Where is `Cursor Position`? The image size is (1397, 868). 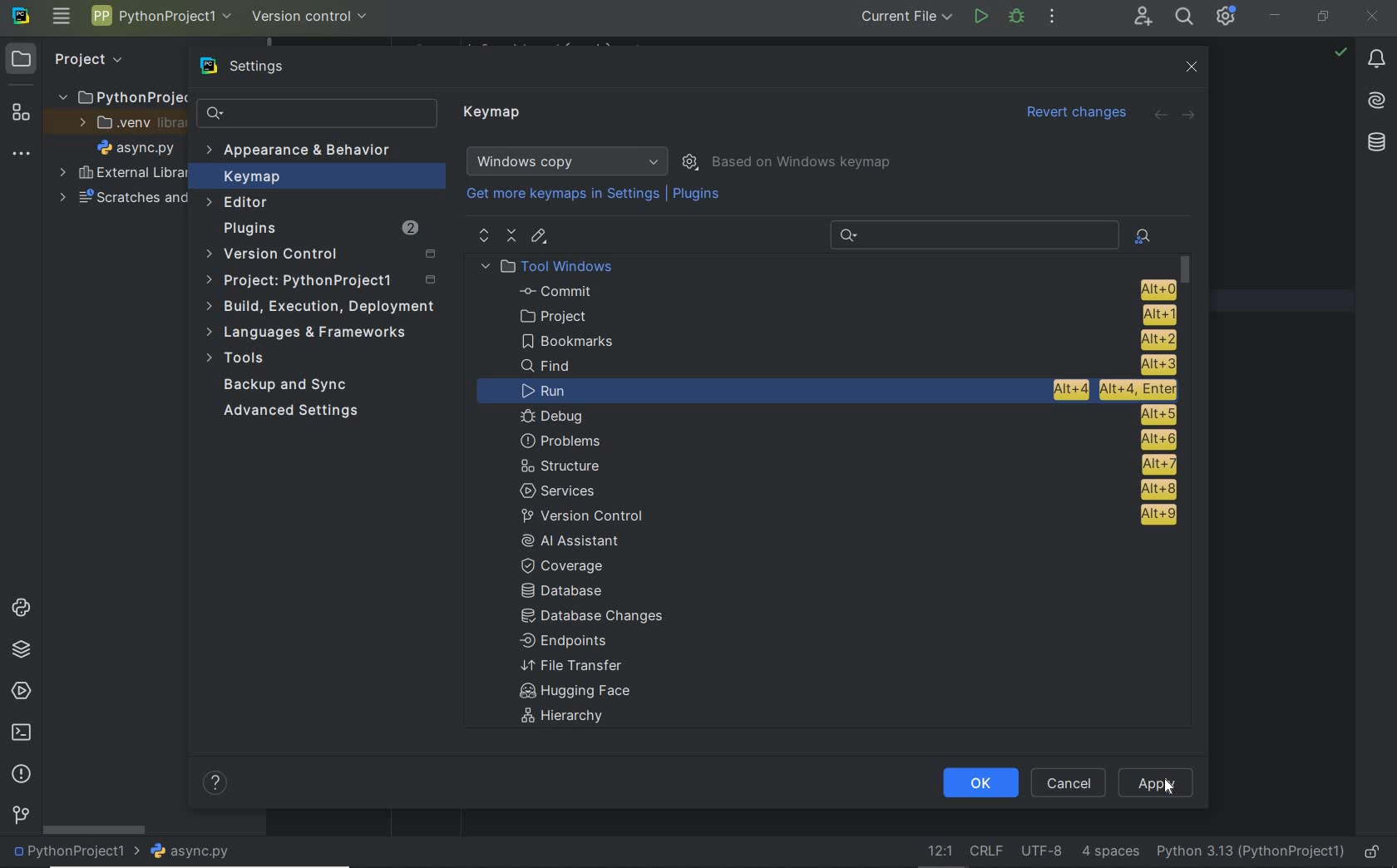
Cursor Position is located at coordinates (1167, 785).